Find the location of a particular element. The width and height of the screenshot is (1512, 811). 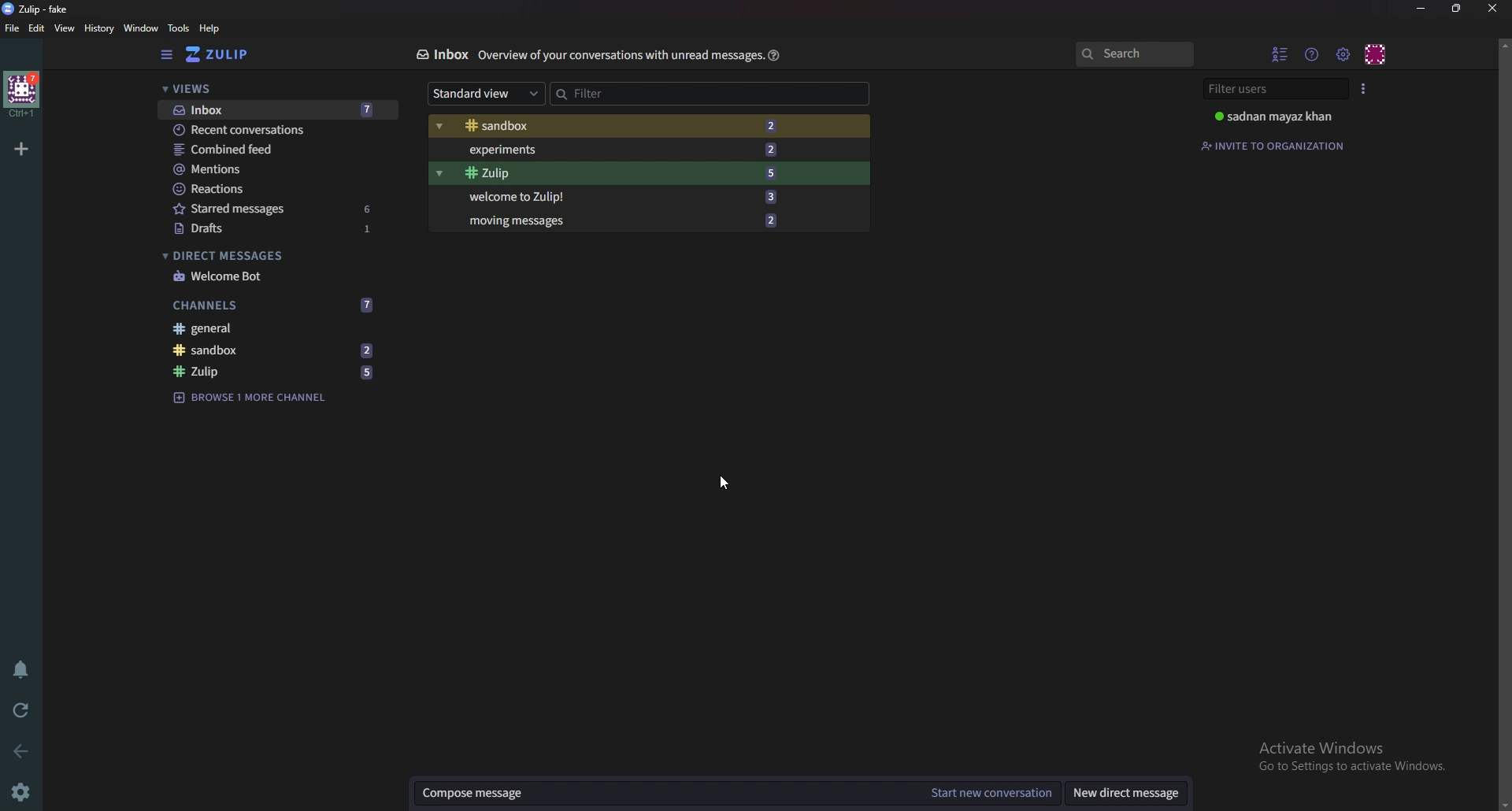

Reload is located at coordinates (22, 713).